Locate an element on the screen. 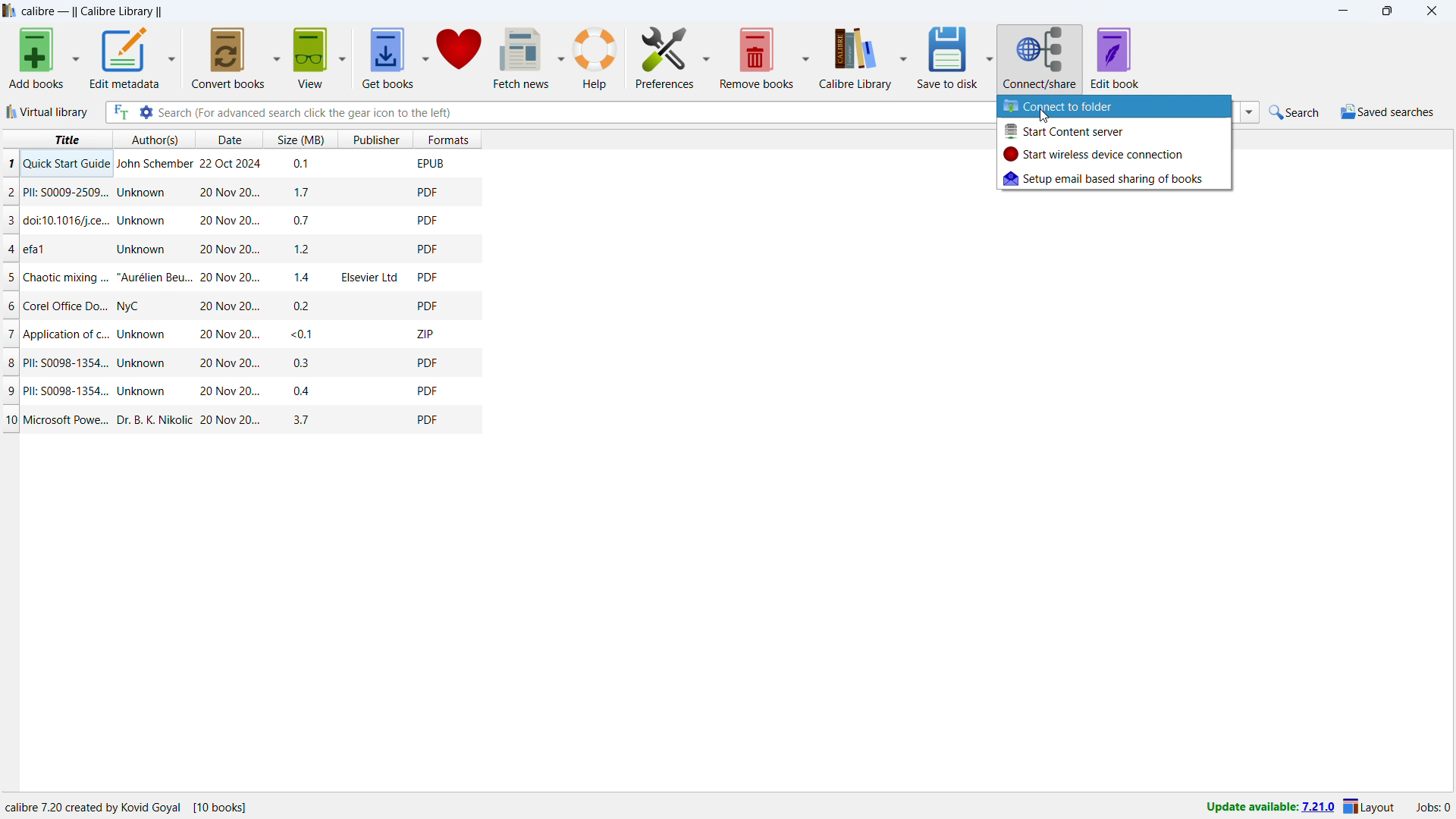 The image size is (1456, 819). convert books is located at coordinates (227, 58).